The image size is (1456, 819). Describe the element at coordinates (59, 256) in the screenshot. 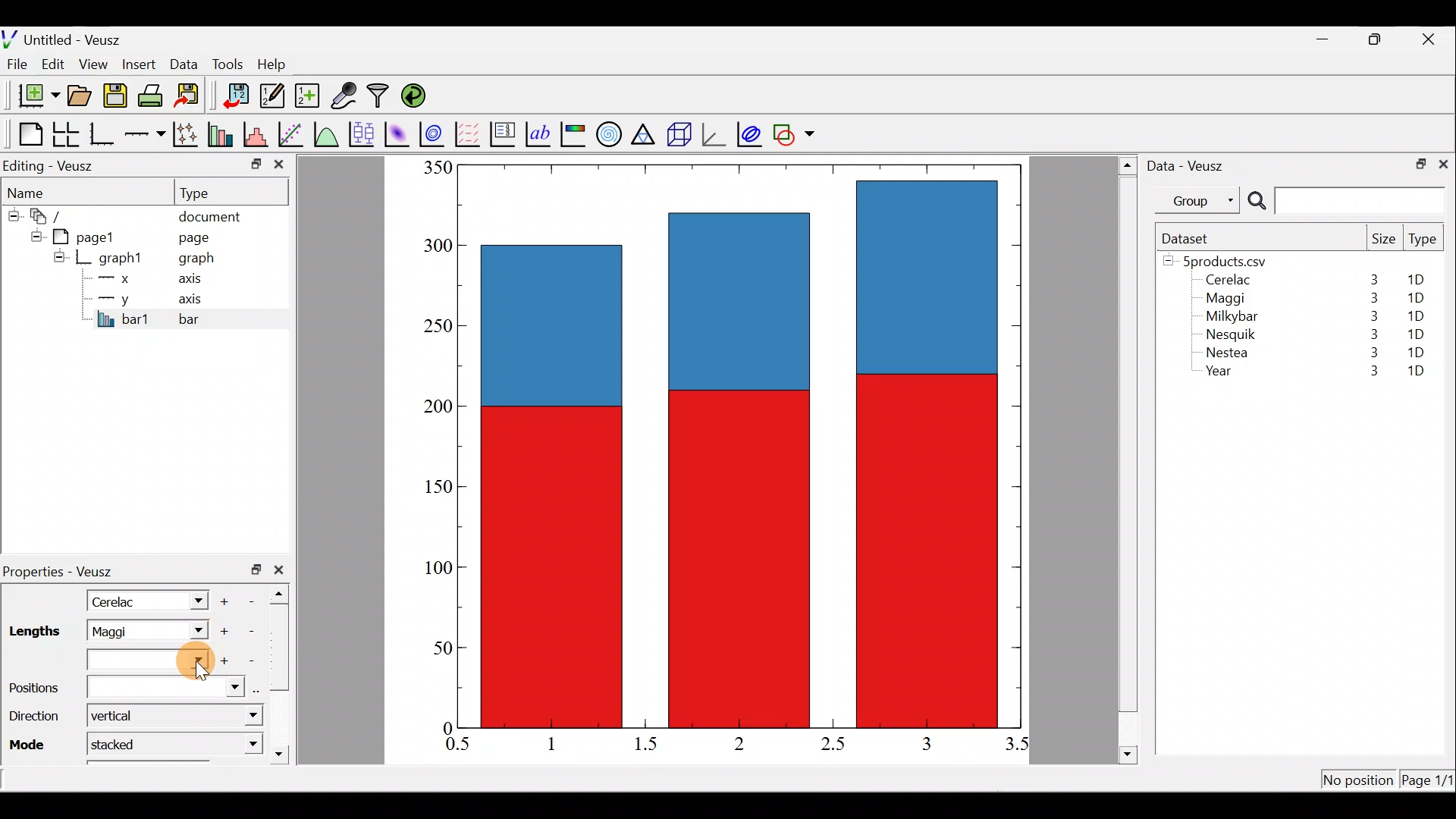

I see `hide` at that location.